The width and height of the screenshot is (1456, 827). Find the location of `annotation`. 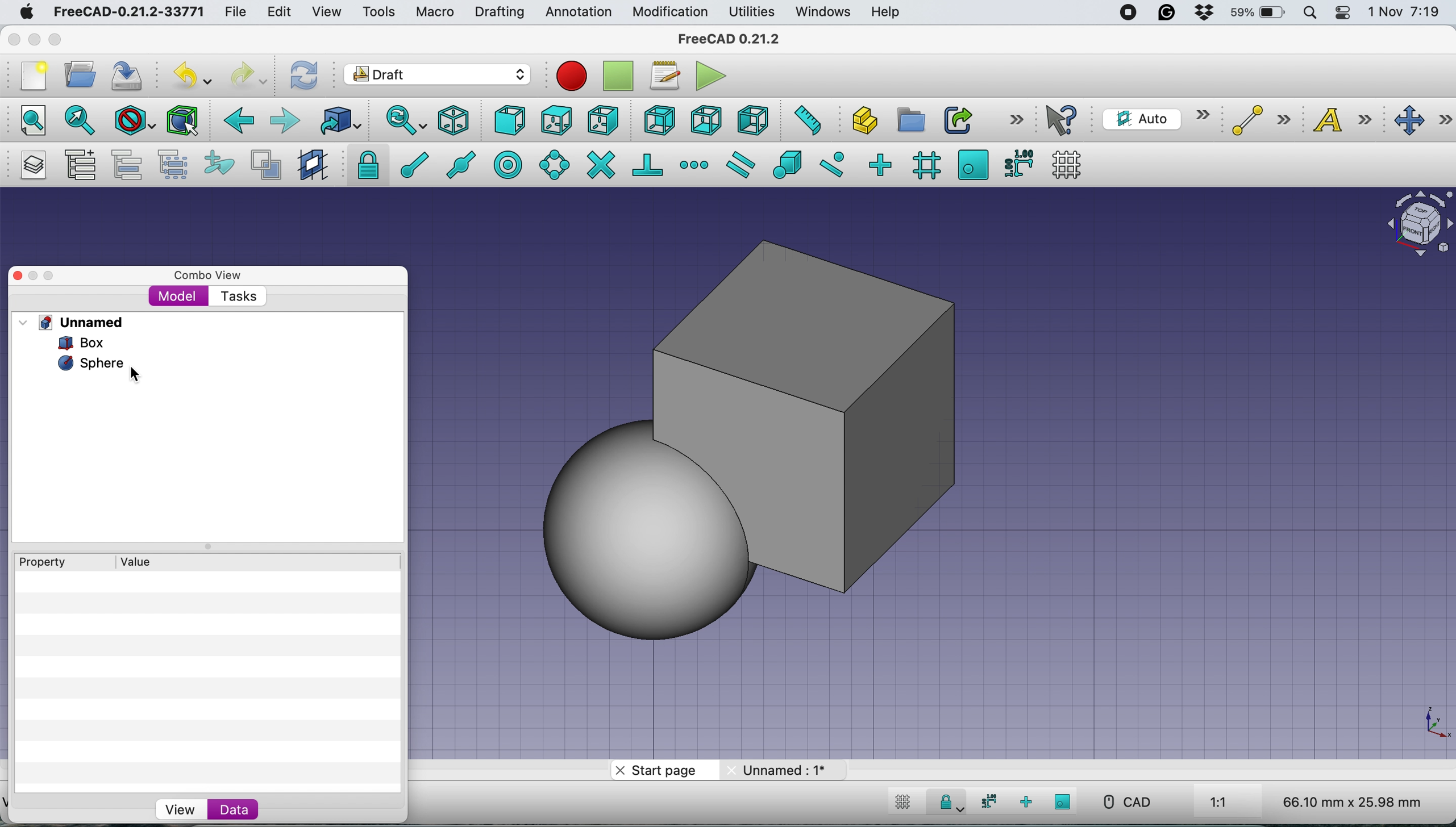

annotation is located at coordinates (576, 12).